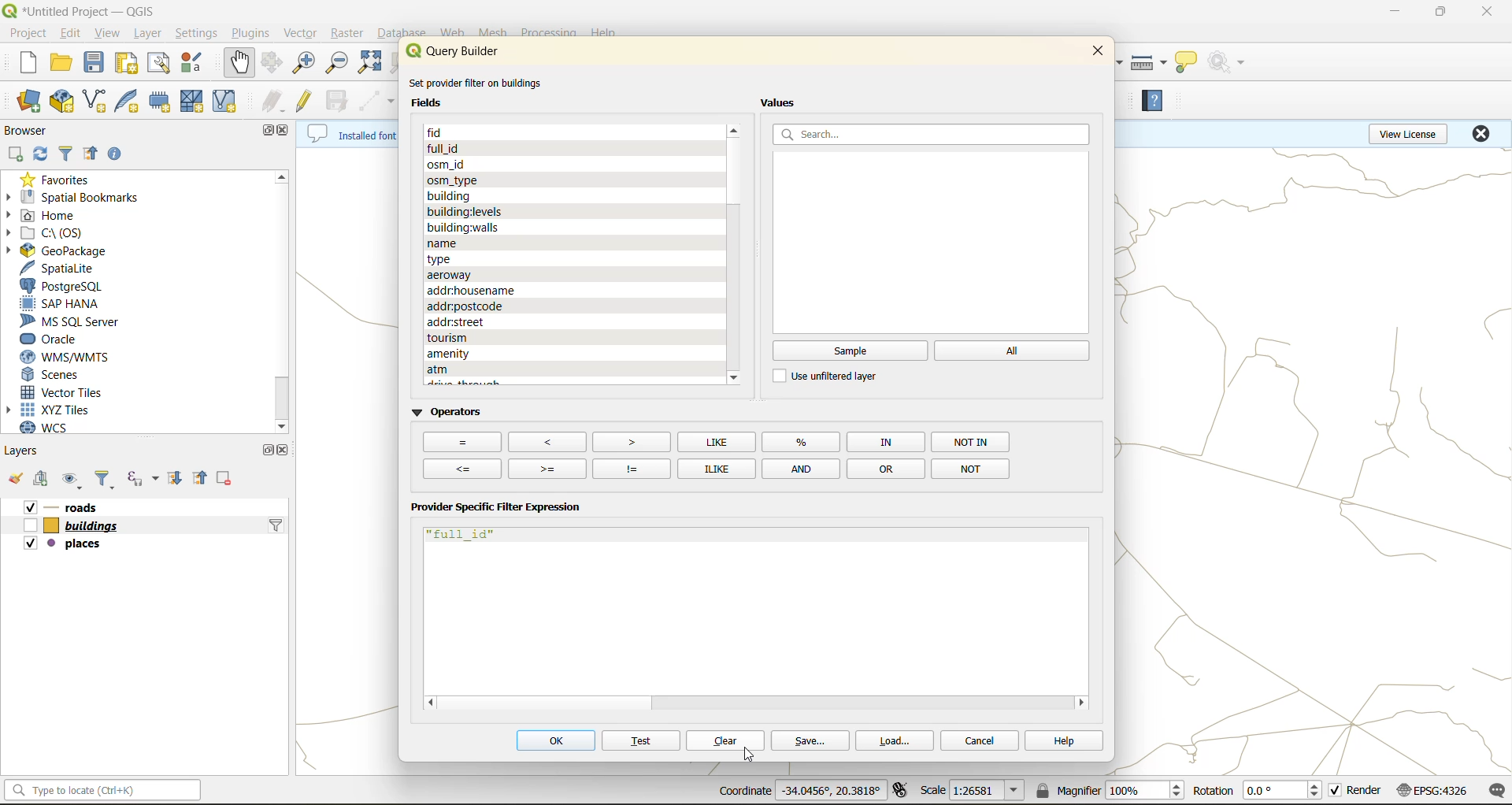  Describe the element at coordinates (801, 468) in the screenshot. I see `opertators` at that location.